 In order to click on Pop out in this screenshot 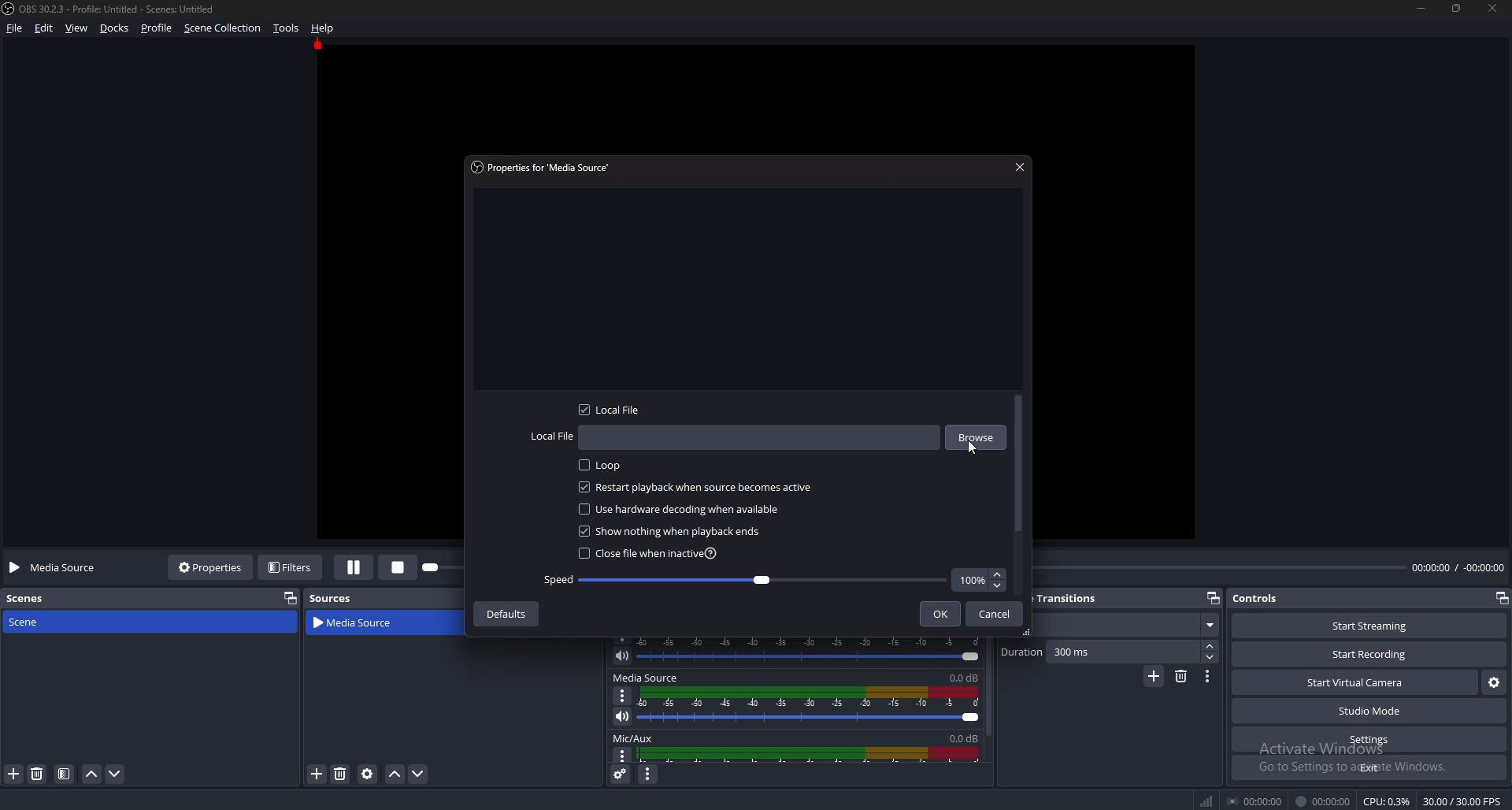, I will do `click(1214, 599)`.